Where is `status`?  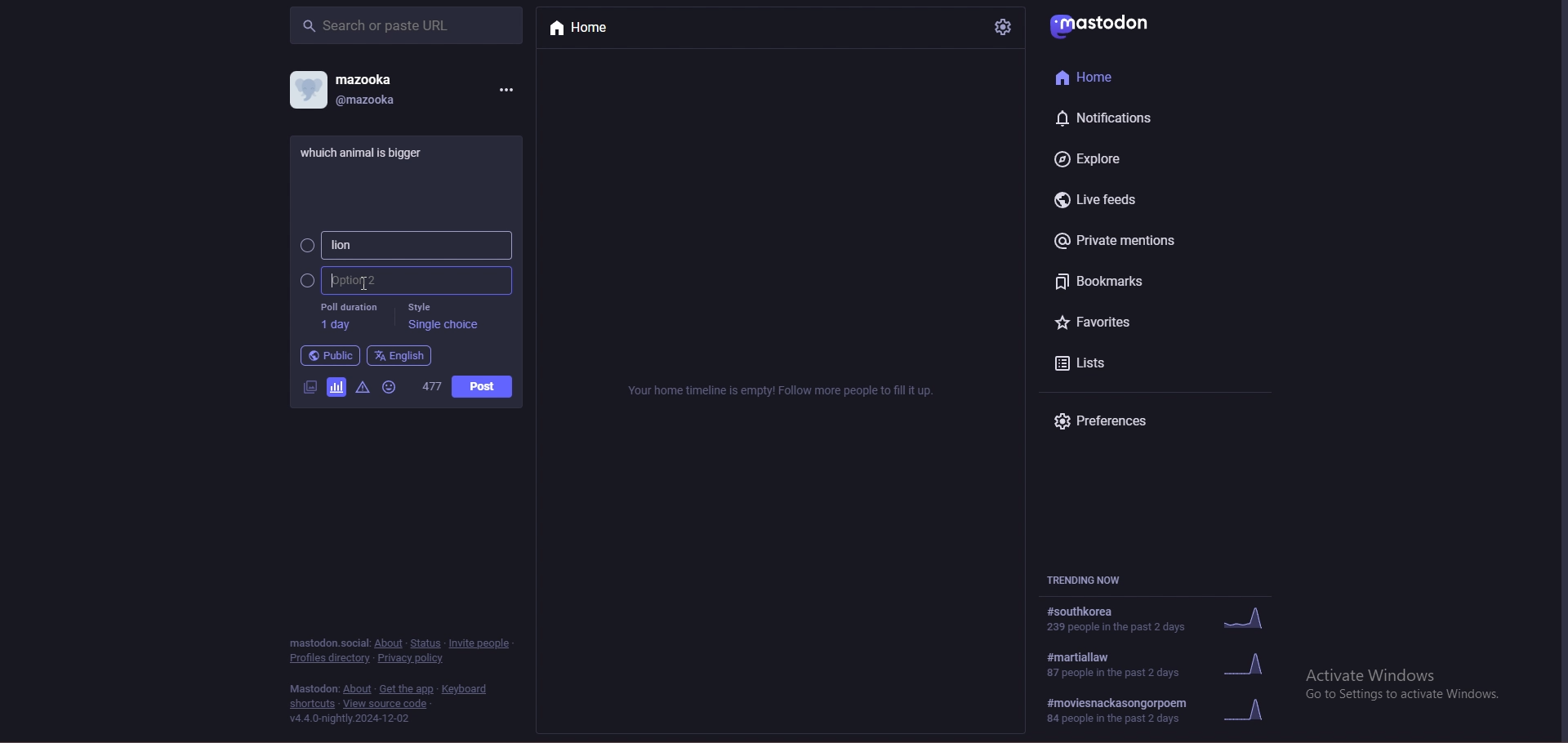 status is located at coordinates (426, 643).